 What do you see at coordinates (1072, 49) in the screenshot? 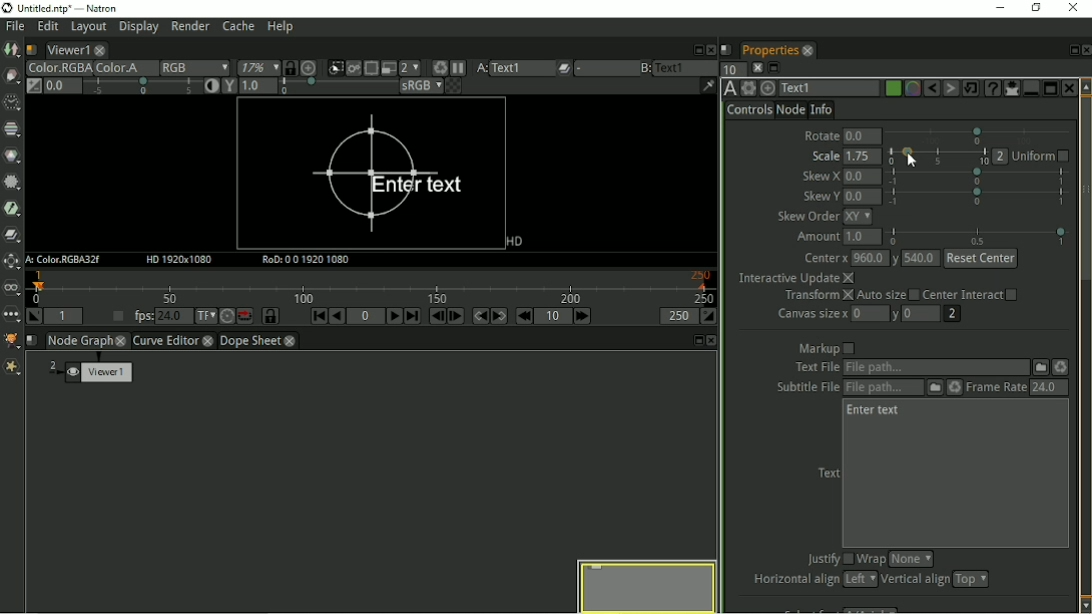
I see `Float pane` at bounding box center [1072, 49].